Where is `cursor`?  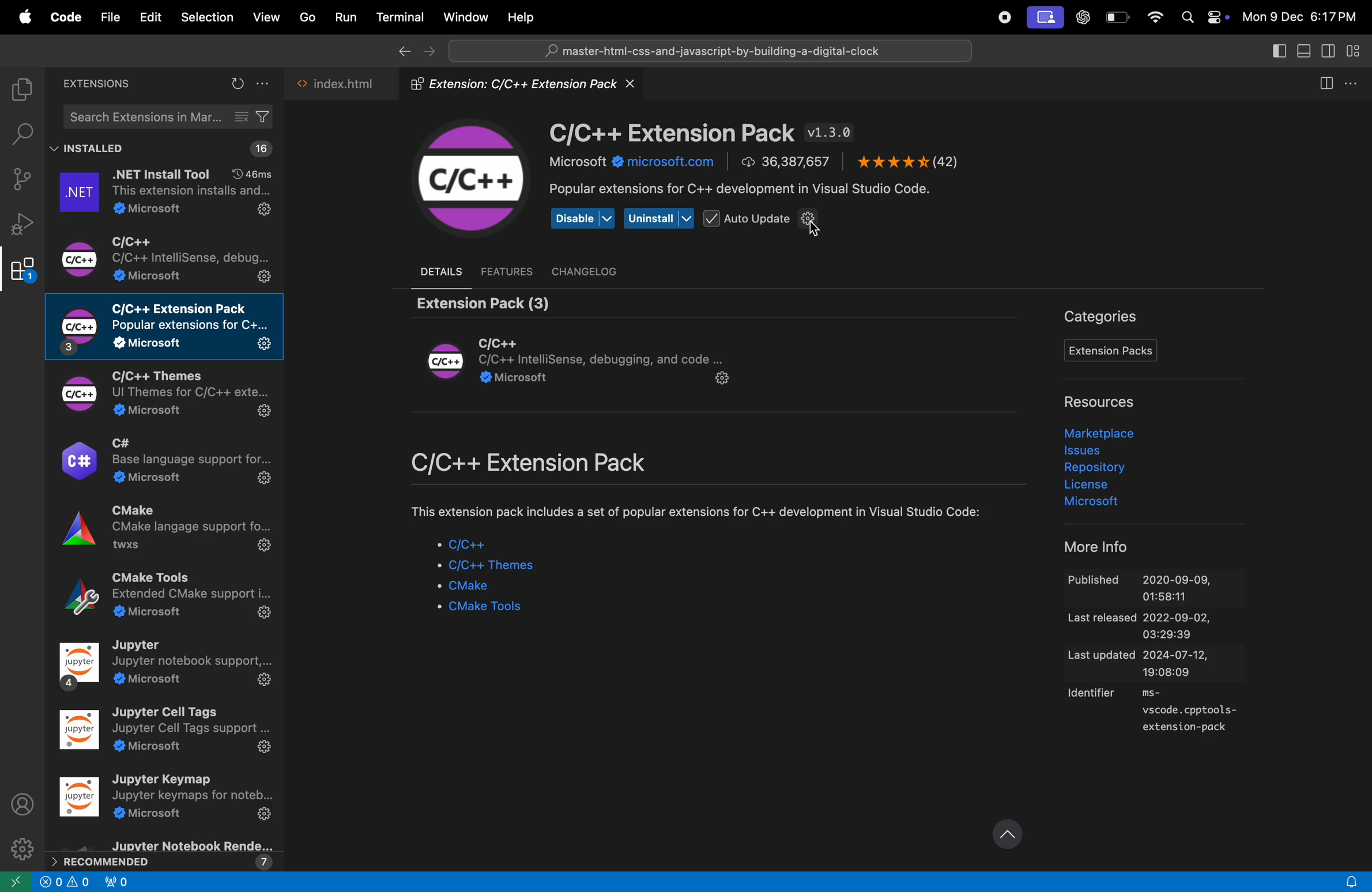 cursor is located at coordinates (817, 233).